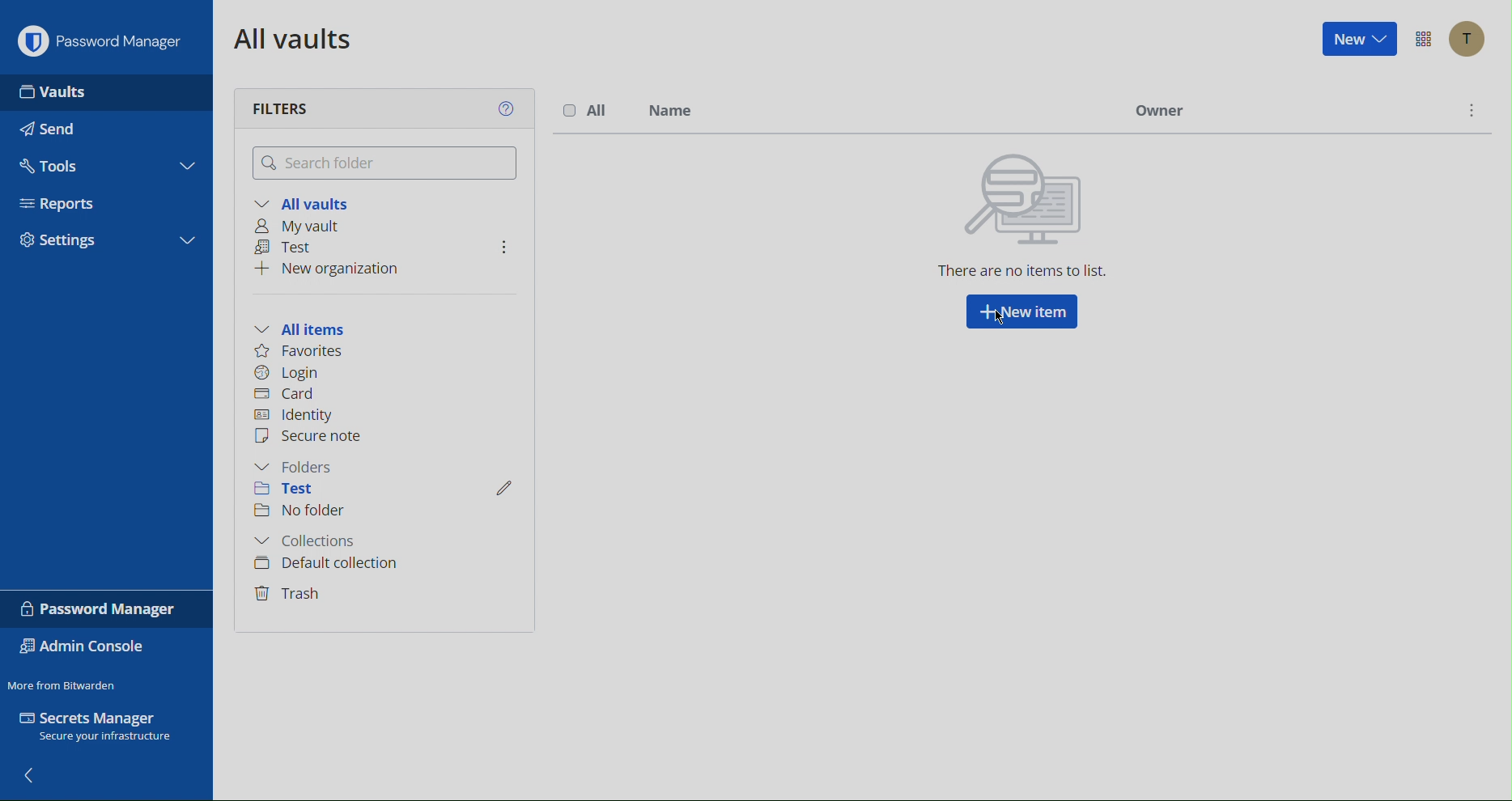 The image size is (1512, 801). What do you see at coordinates (54, 131) in the screenshot?
I see `Send` at bounding box center [54, 131].